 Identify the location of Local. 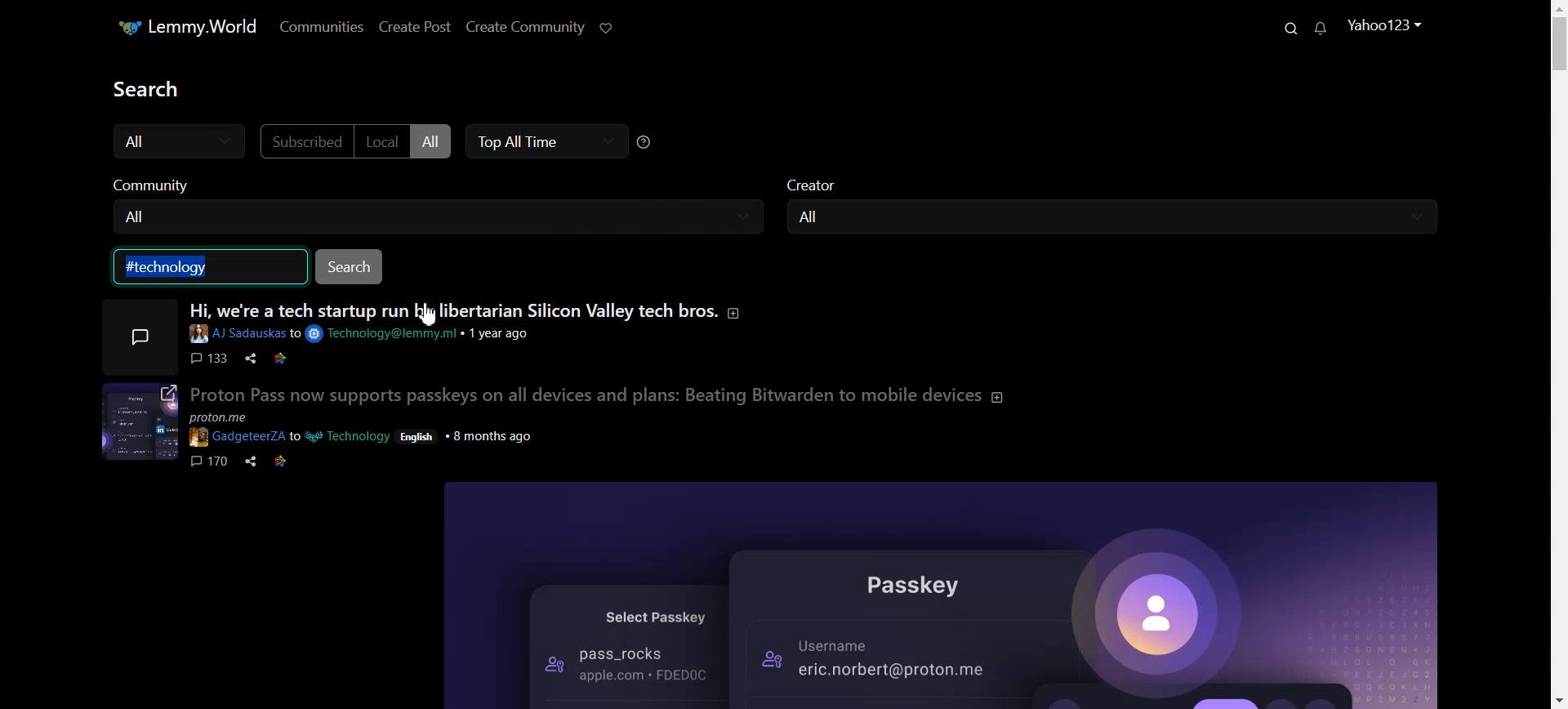
(381, 141).